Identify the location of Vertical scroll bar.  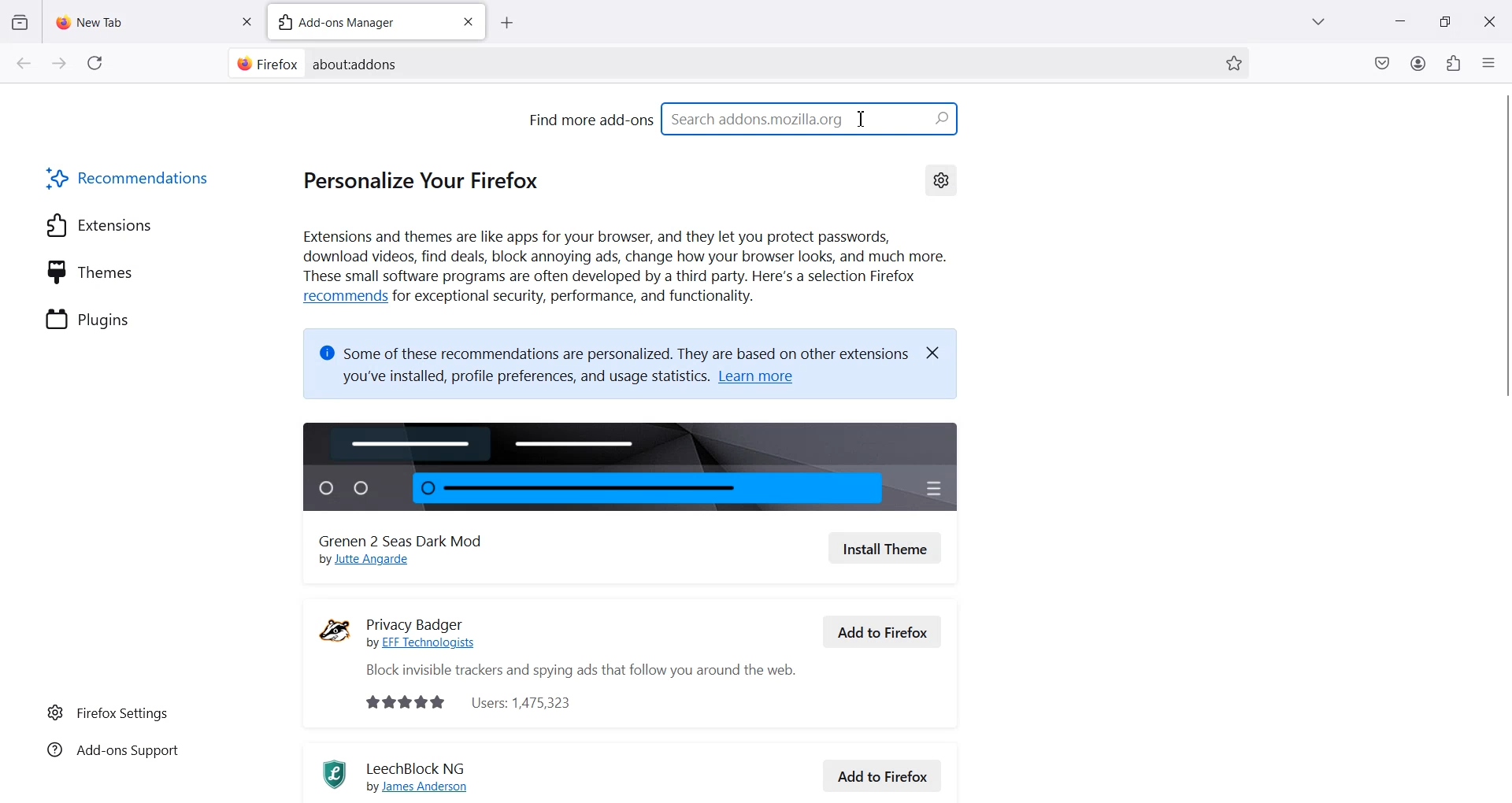
(1503, 457).